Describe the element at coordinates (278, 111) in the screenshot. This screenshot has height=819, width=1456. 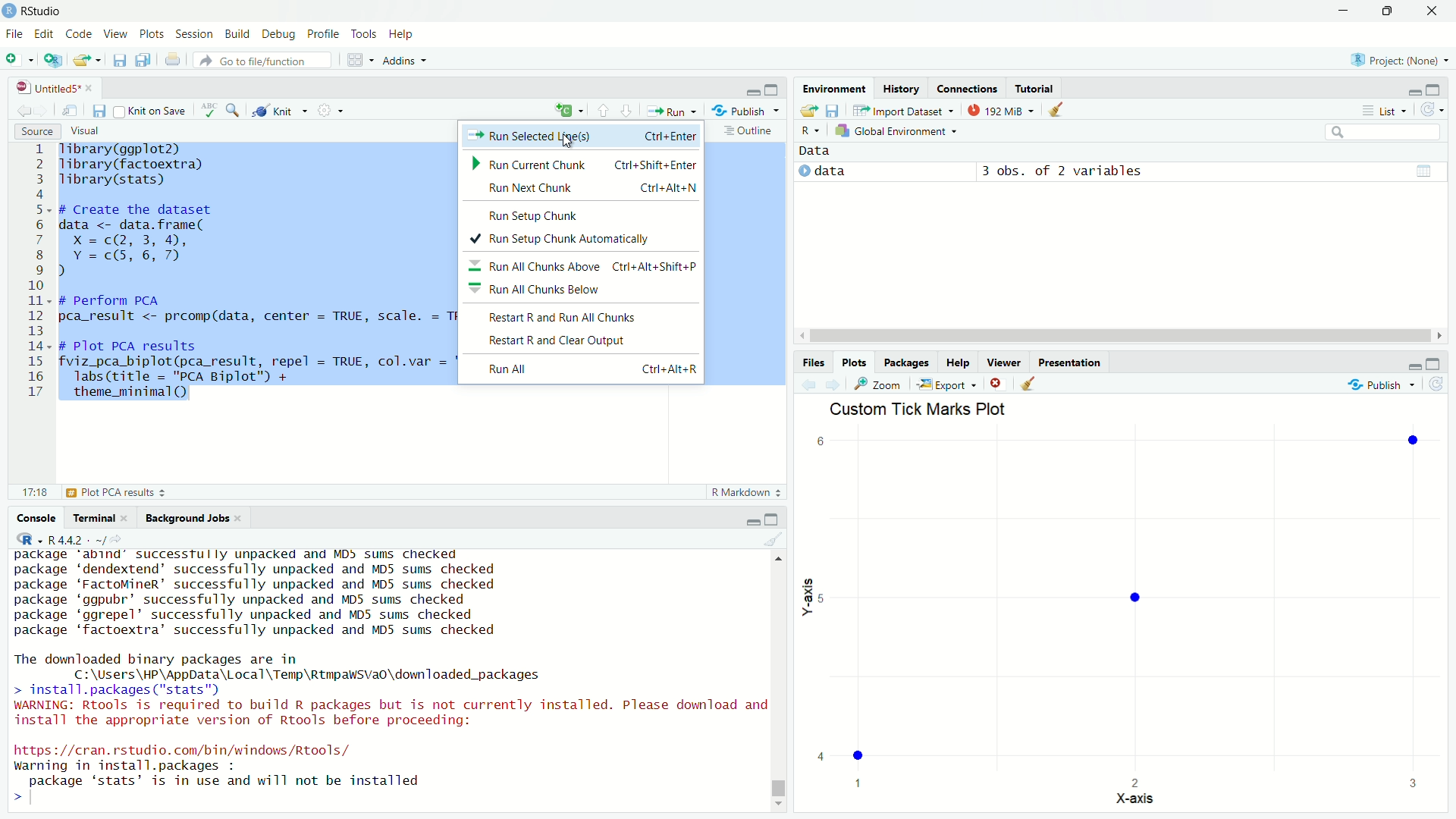
I see `knit` at that location.